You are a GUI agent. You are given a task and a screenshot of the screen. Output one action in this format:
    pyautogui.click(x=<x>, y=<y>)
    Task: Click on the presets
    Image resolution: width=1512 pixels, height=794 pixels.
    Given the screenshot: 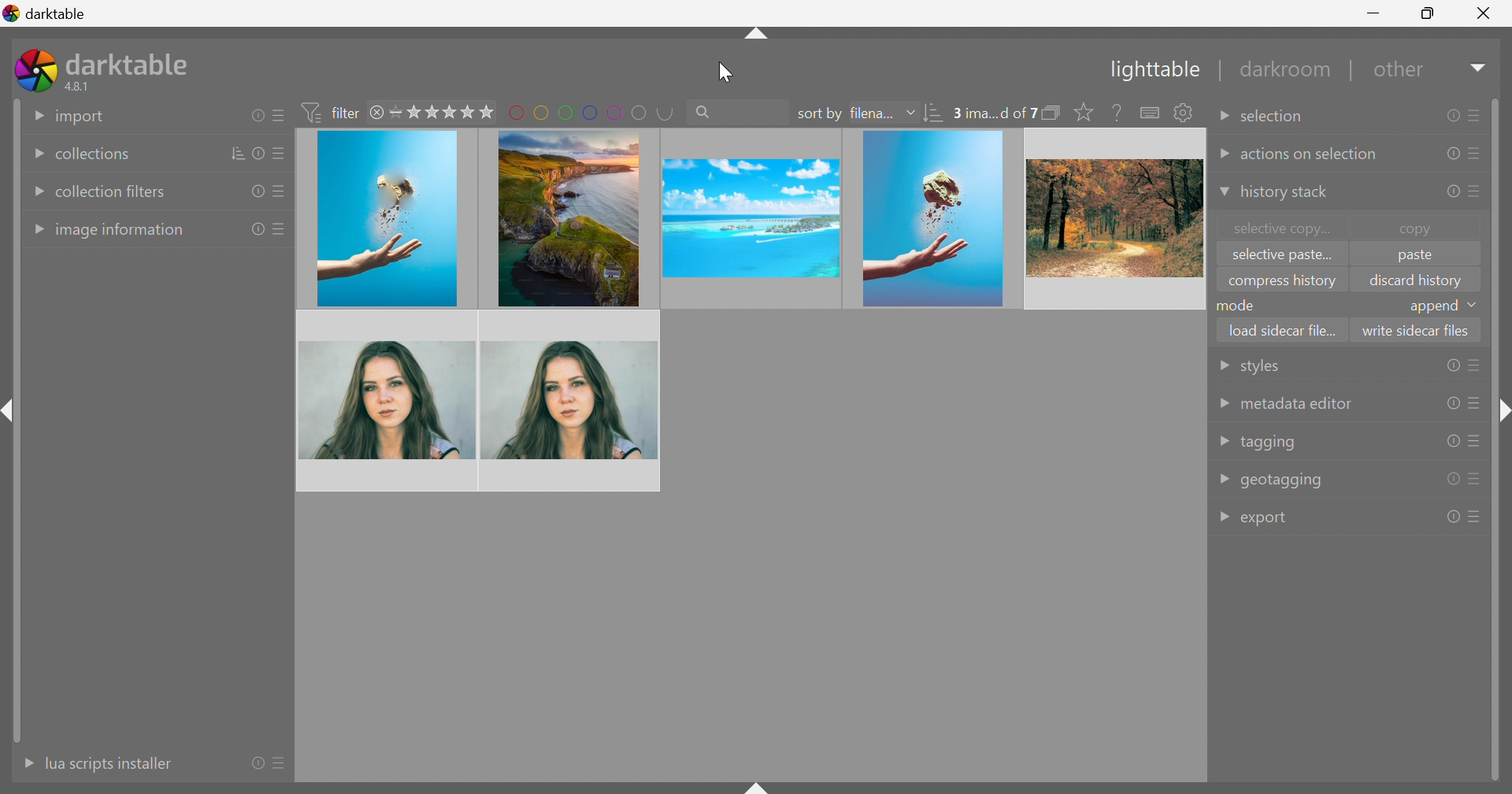 What is the action you would take?
    pyautogui.click(x=283, y=765)
    